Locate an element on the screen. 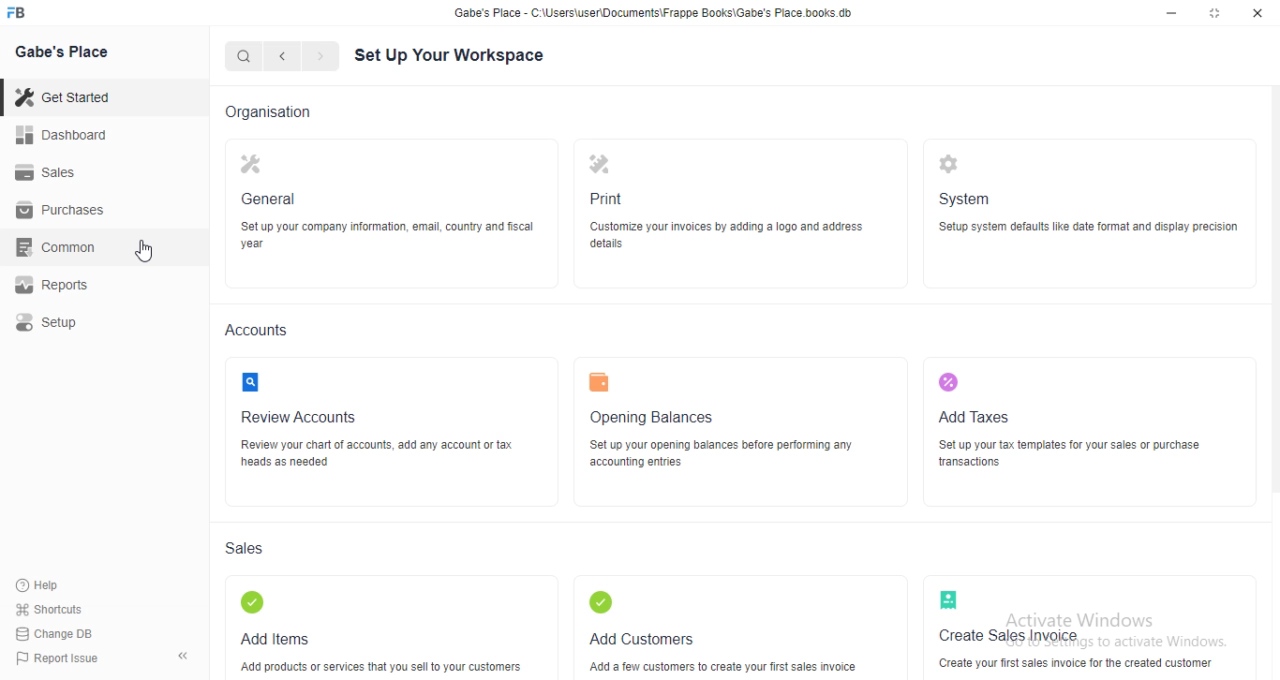  ‘Set up your company information, email. country and fiscal
year is located at coordinates (389, 234).